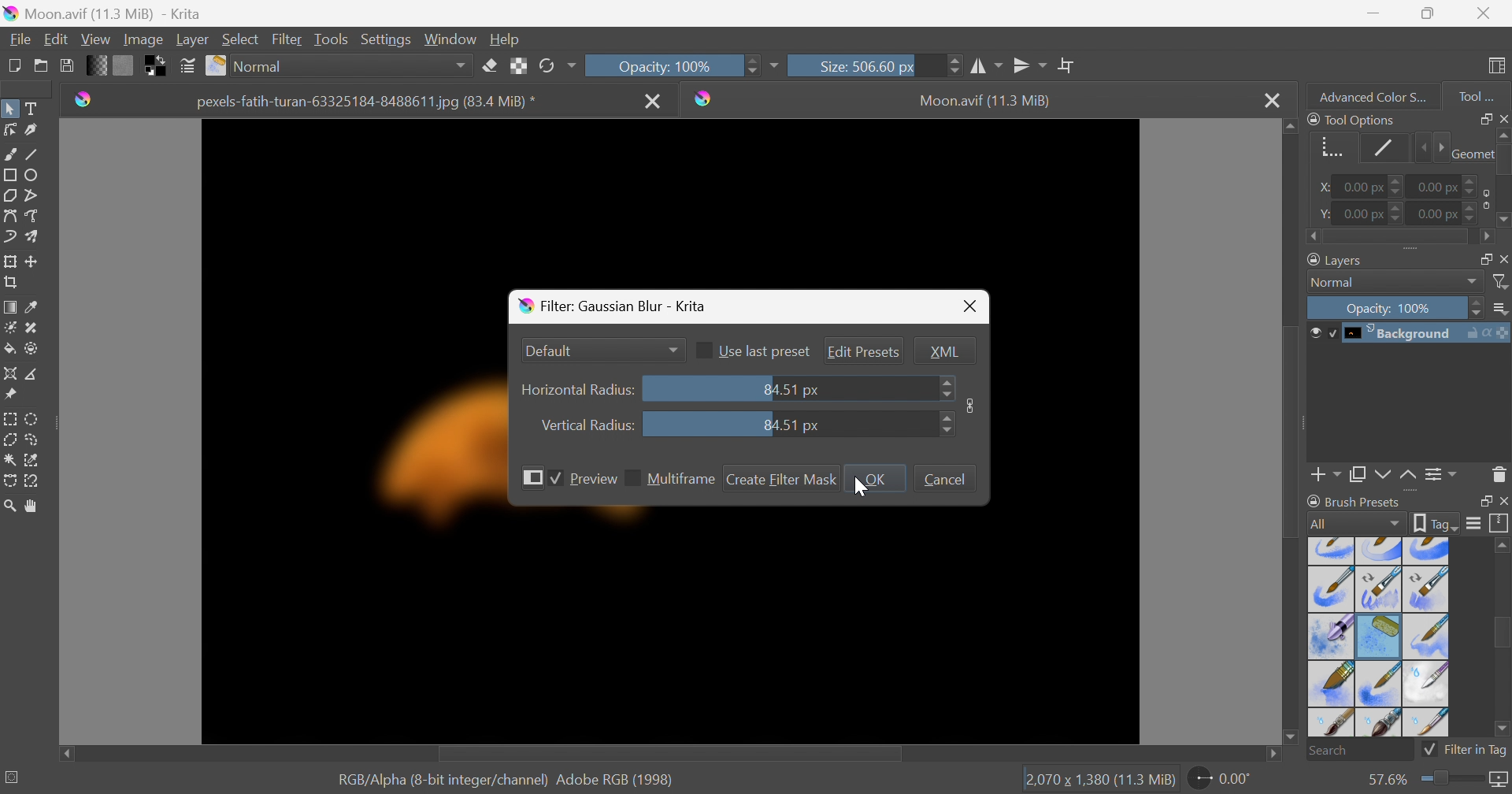  I want to click on Edit, so click(57, 39).